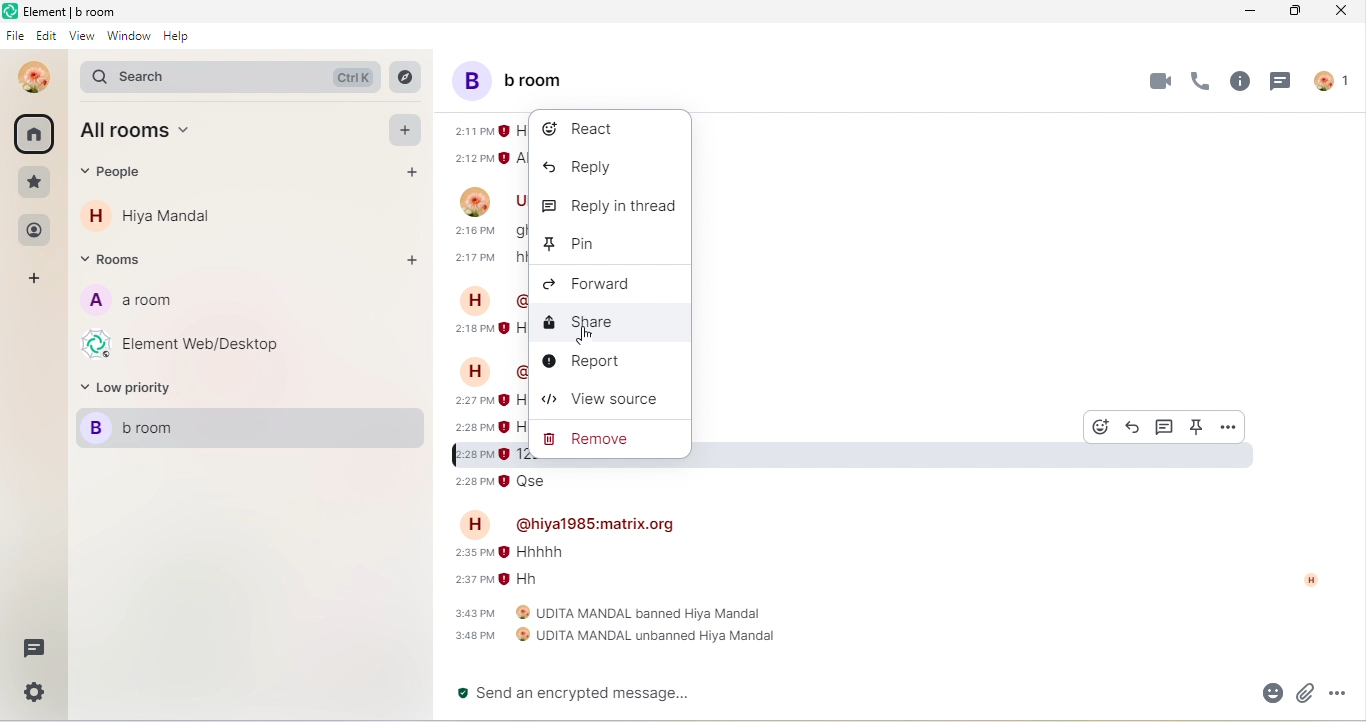 The width and height of the screenshot is (1366, 722). Describe the element at coordinates (157, 216) in the screenshot. I see `hiya mandal` at that location.